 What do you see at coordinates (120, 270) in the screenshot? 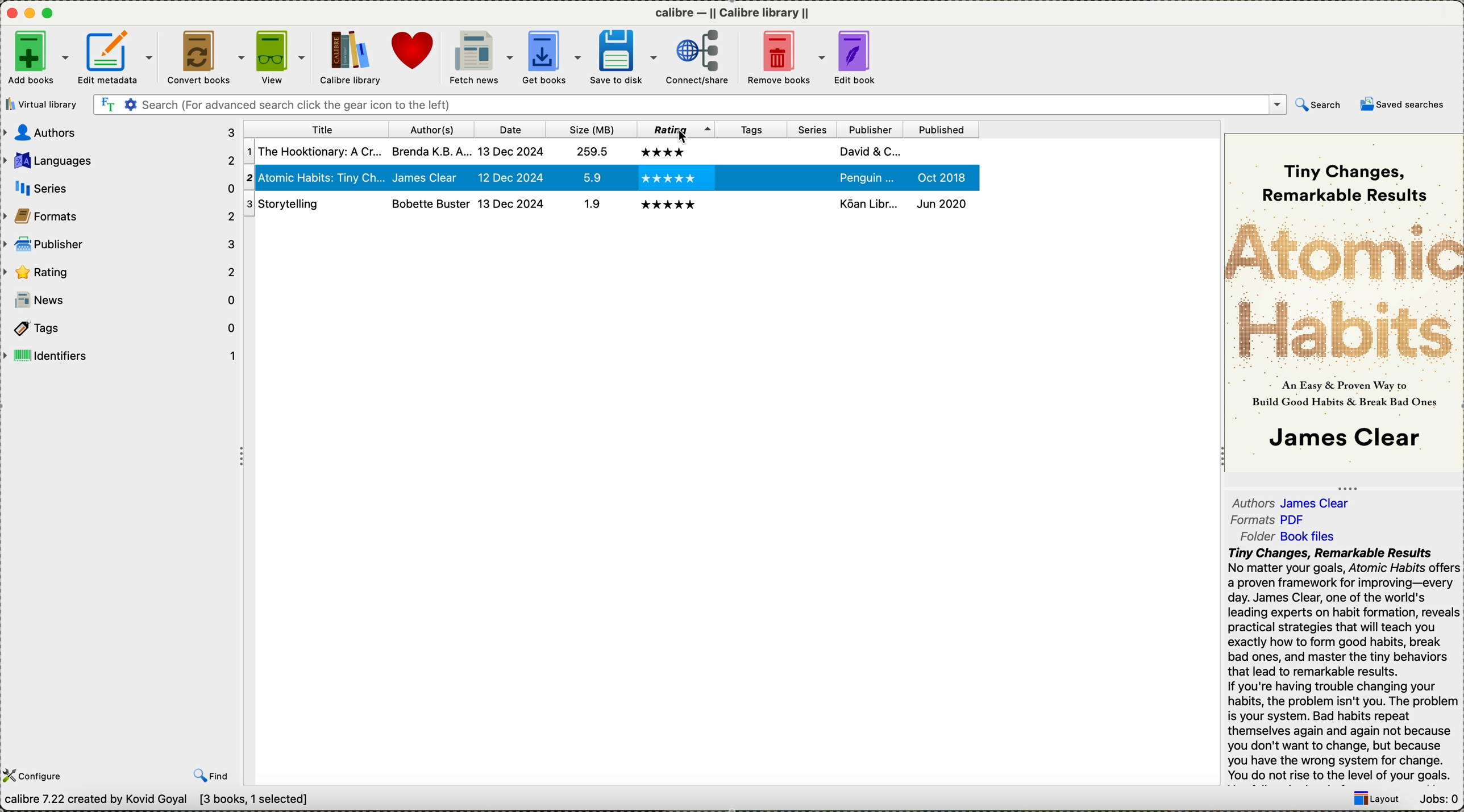
I see `rating` at bounding box center [120, 270].